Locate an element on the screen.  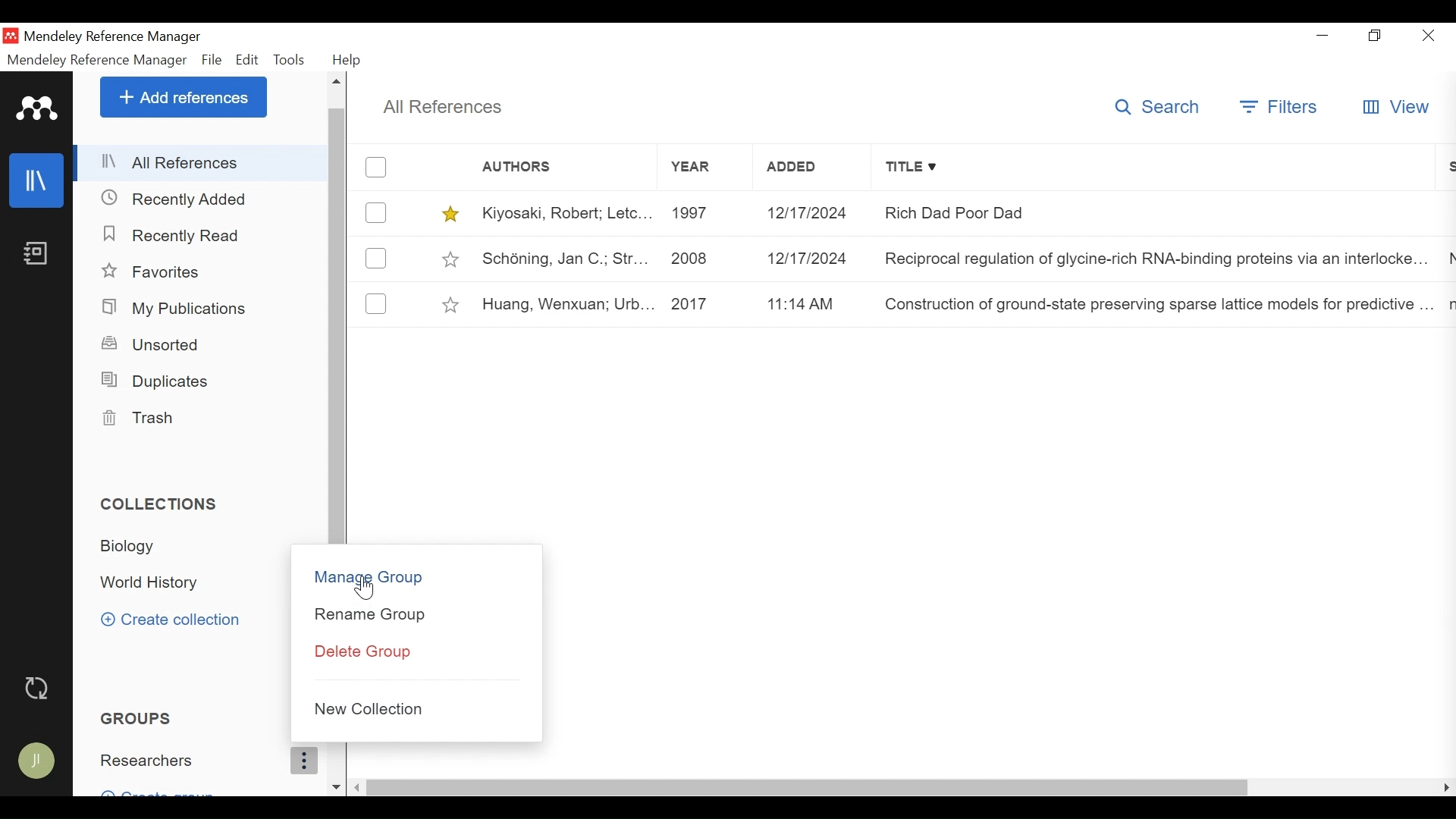
Library is located at coordinates (37, 181).